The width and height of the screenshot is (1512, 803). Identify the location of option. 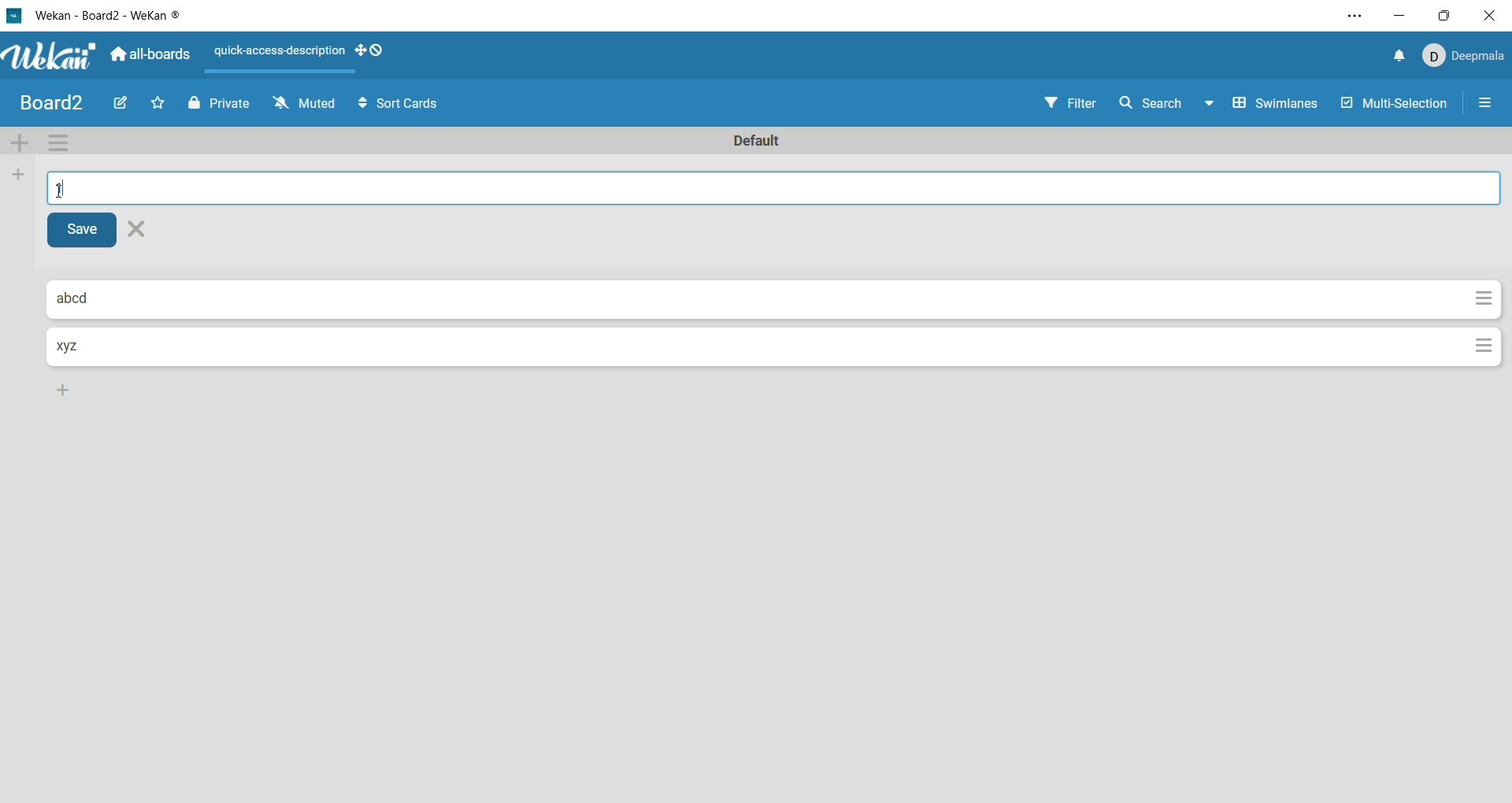
(1488, 102).